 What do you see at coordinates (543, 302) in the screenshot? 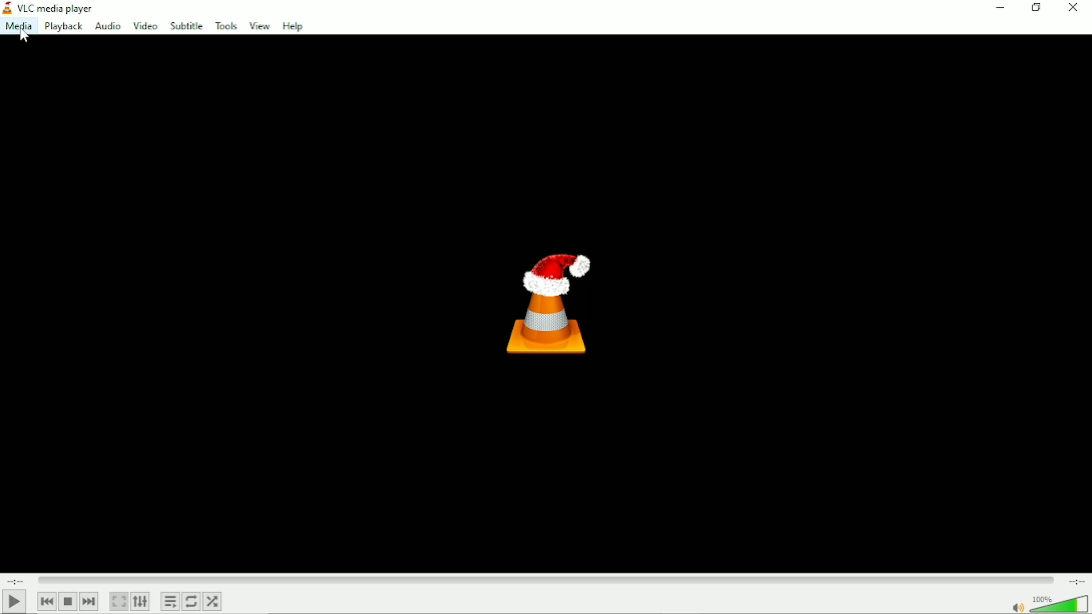
I see `Logo` at bounding box center [543, 302].